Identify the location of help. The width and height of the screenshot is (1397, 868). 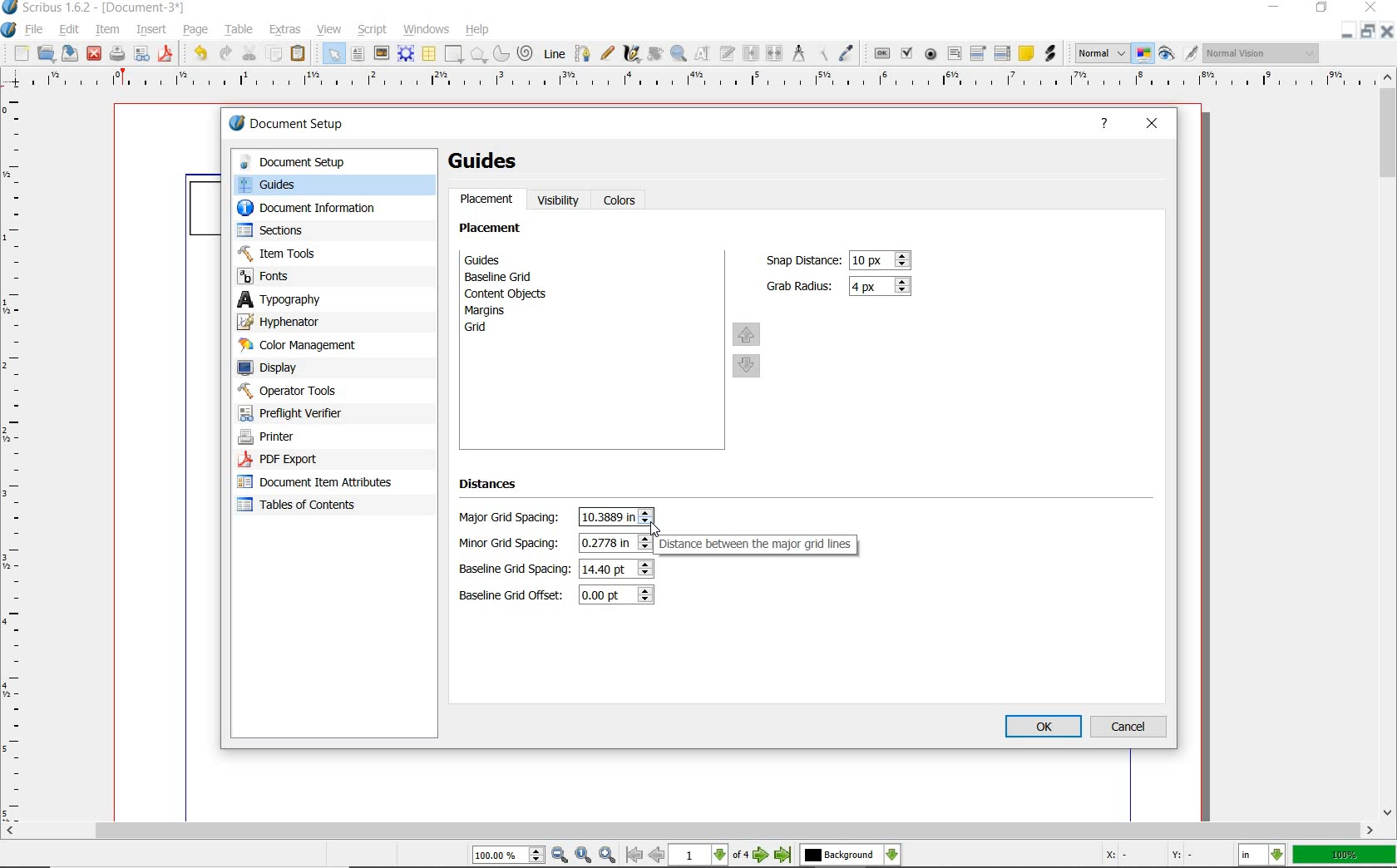
(477, 31).